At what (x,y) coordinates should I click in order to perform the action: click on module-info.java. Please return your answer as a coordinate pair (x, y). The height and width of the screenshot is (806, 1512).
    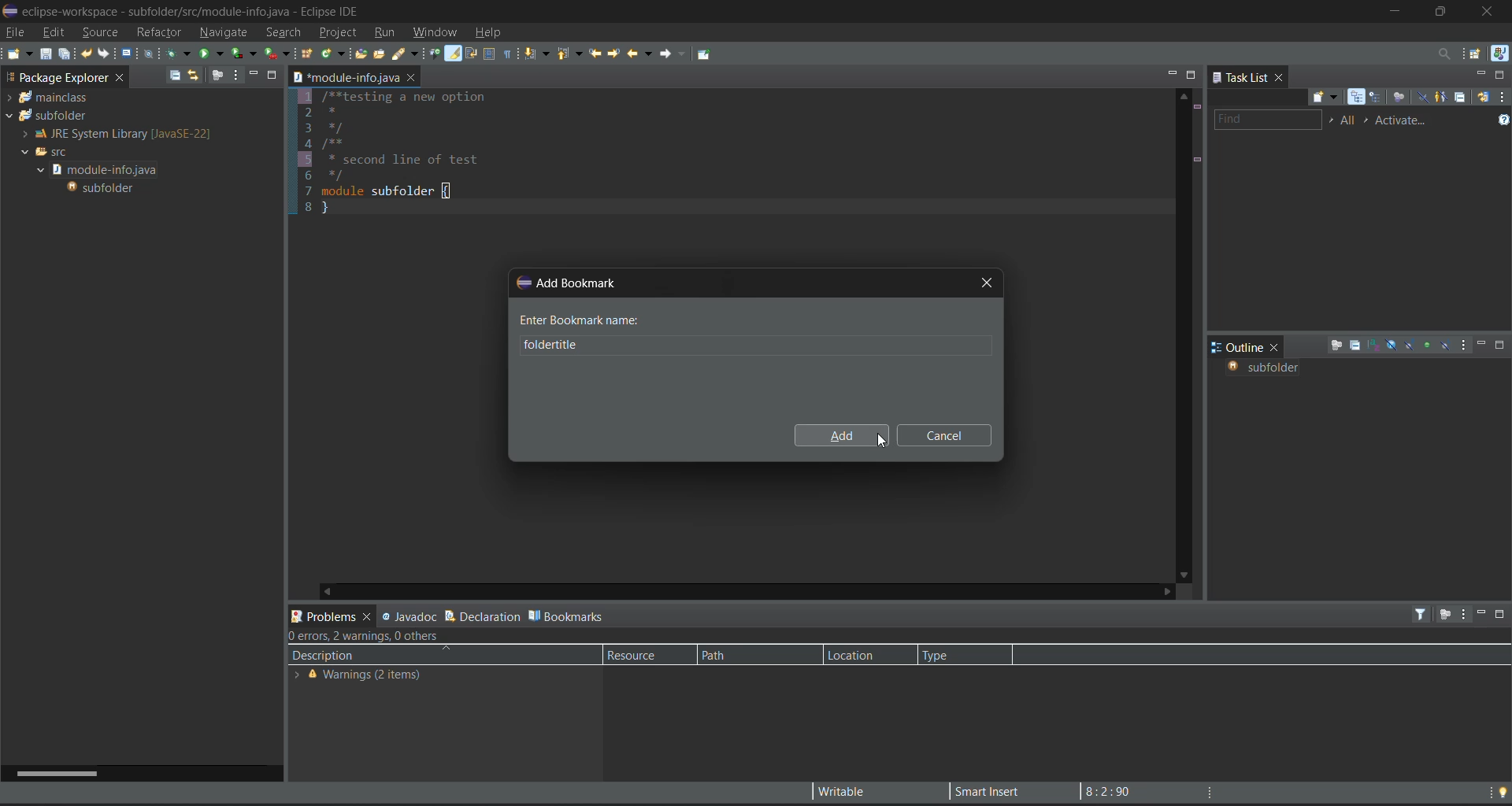
    Looking at the image, I should click on (345, 79).